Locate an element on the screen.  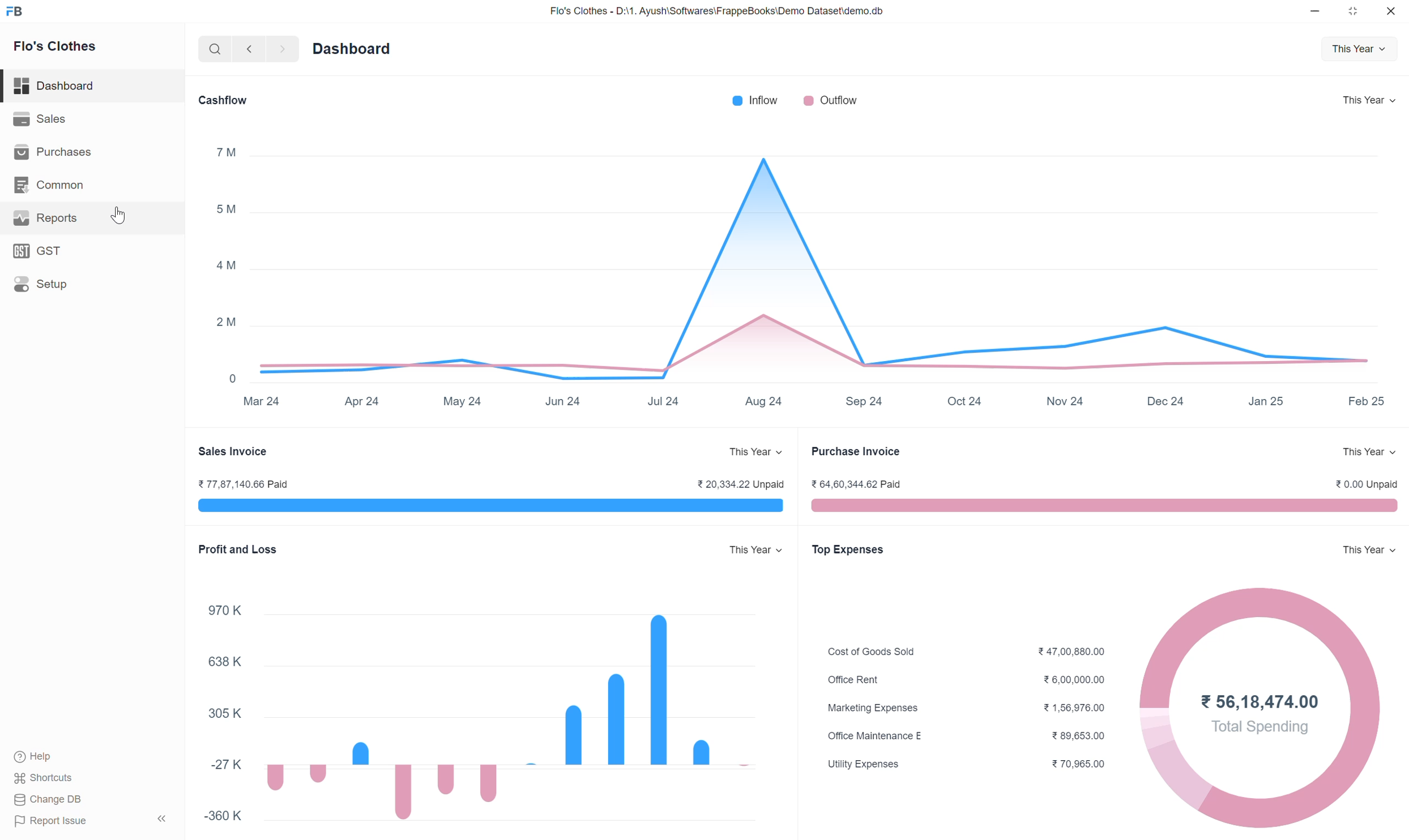
profit and loss is located at coordinates (238, 549).